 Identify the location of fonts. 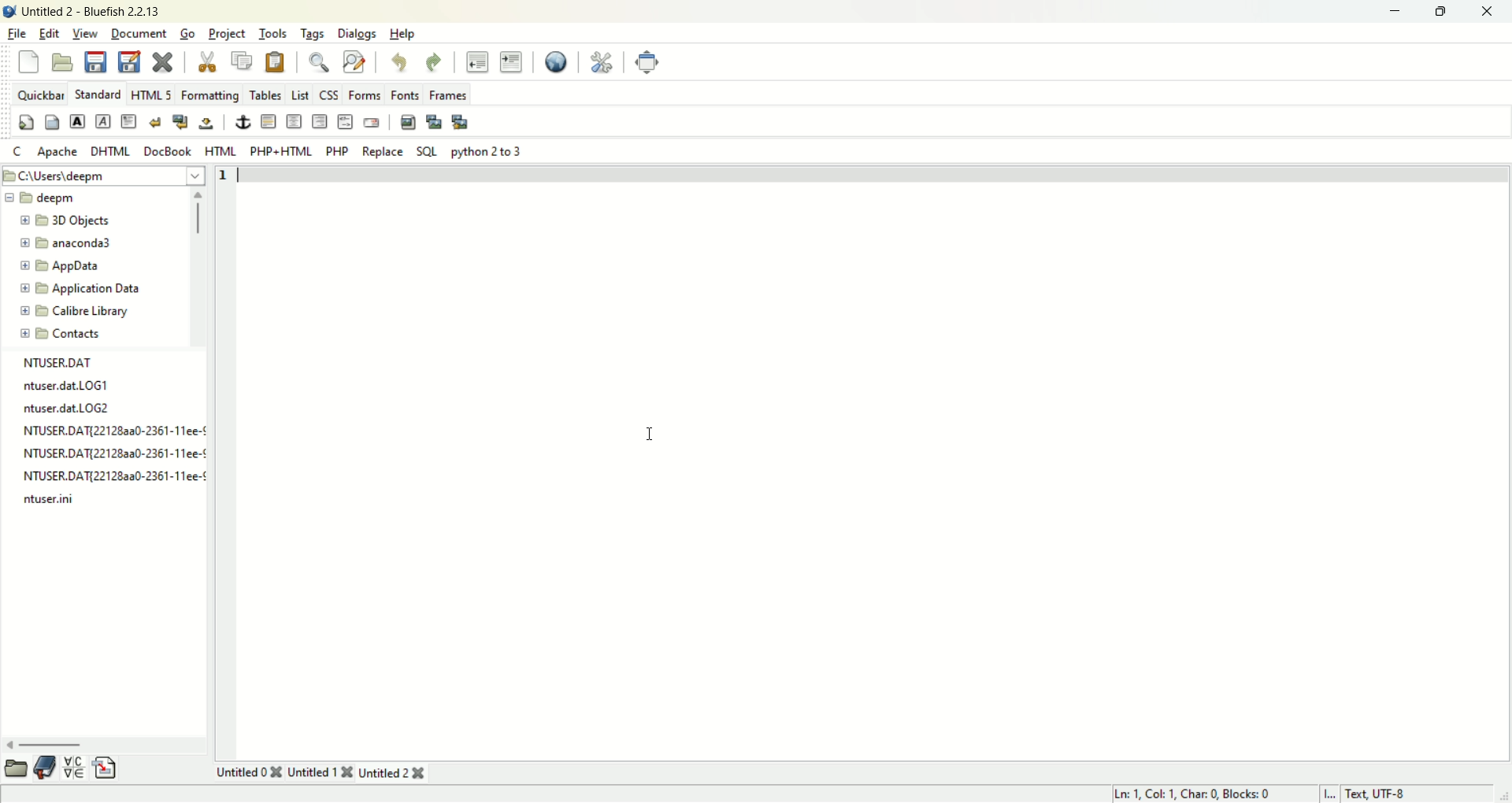
(406, 93).